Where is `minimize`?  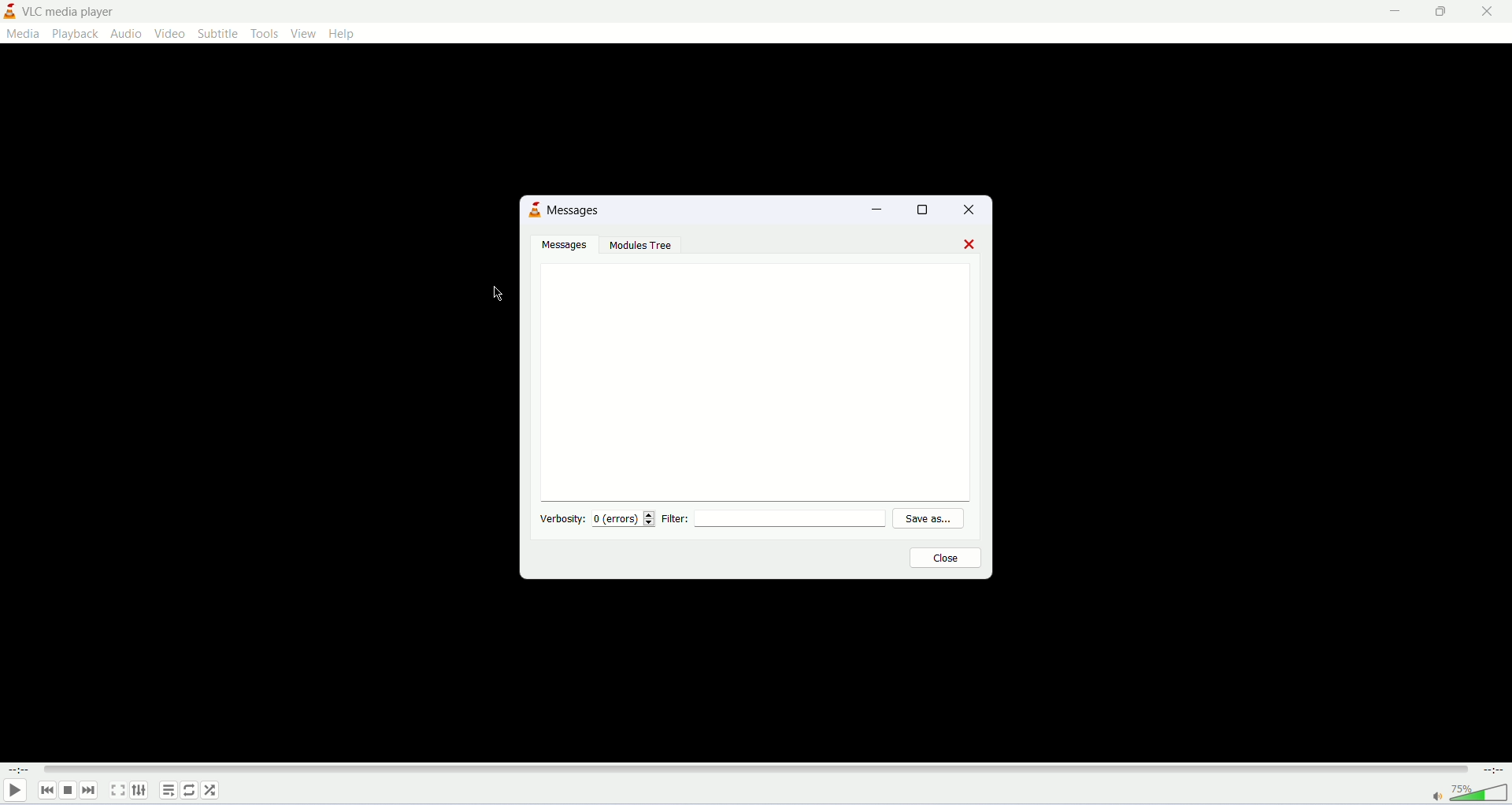
minimize is located at coordinates (875, 208).